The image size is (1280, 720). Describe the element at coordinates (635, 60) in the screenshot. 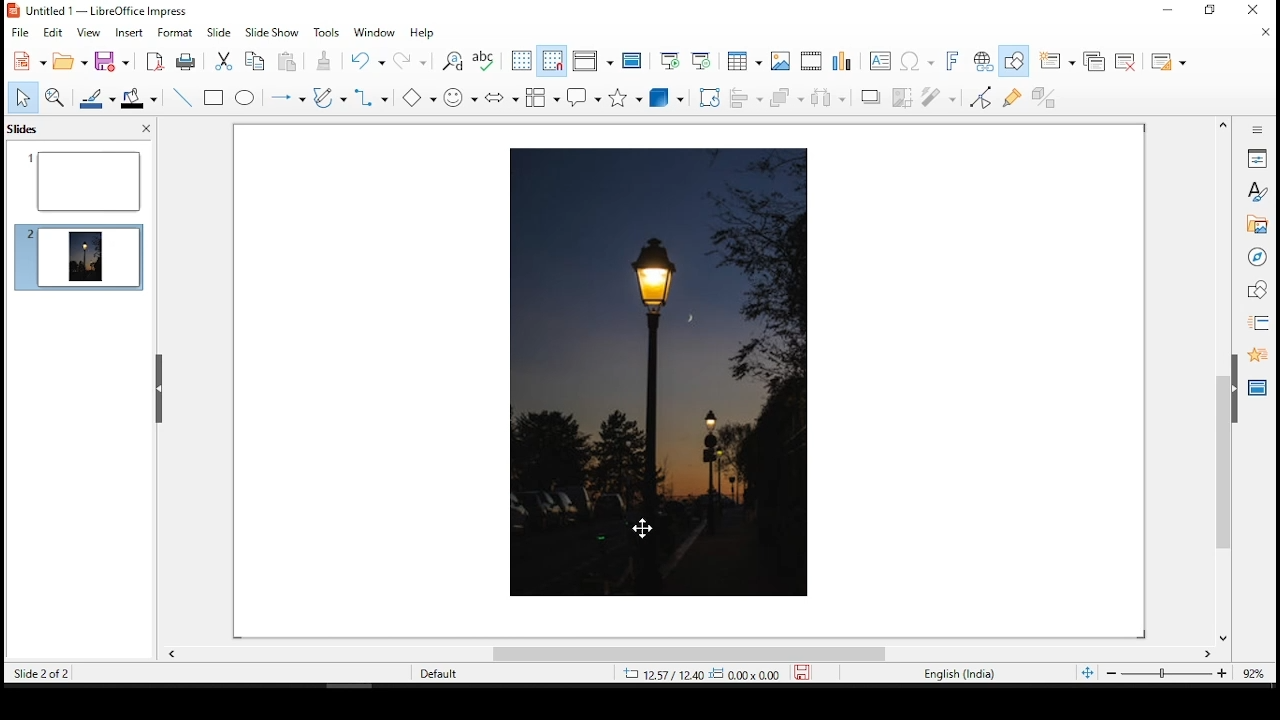

I see `master slide` at that location.